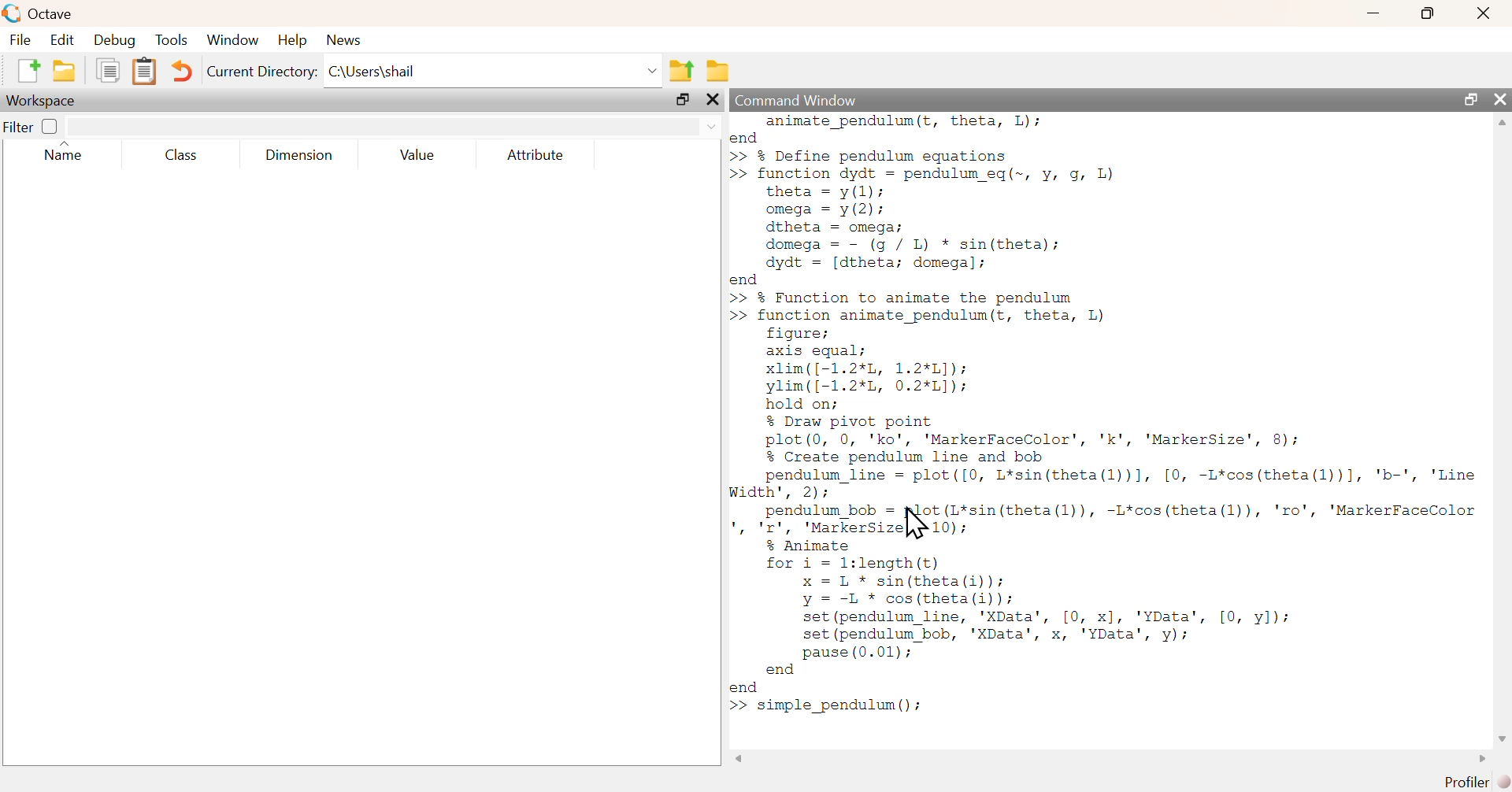 The height and width of the screenshot is (792, 1512). I want to click on Filter, so click(33, 126).